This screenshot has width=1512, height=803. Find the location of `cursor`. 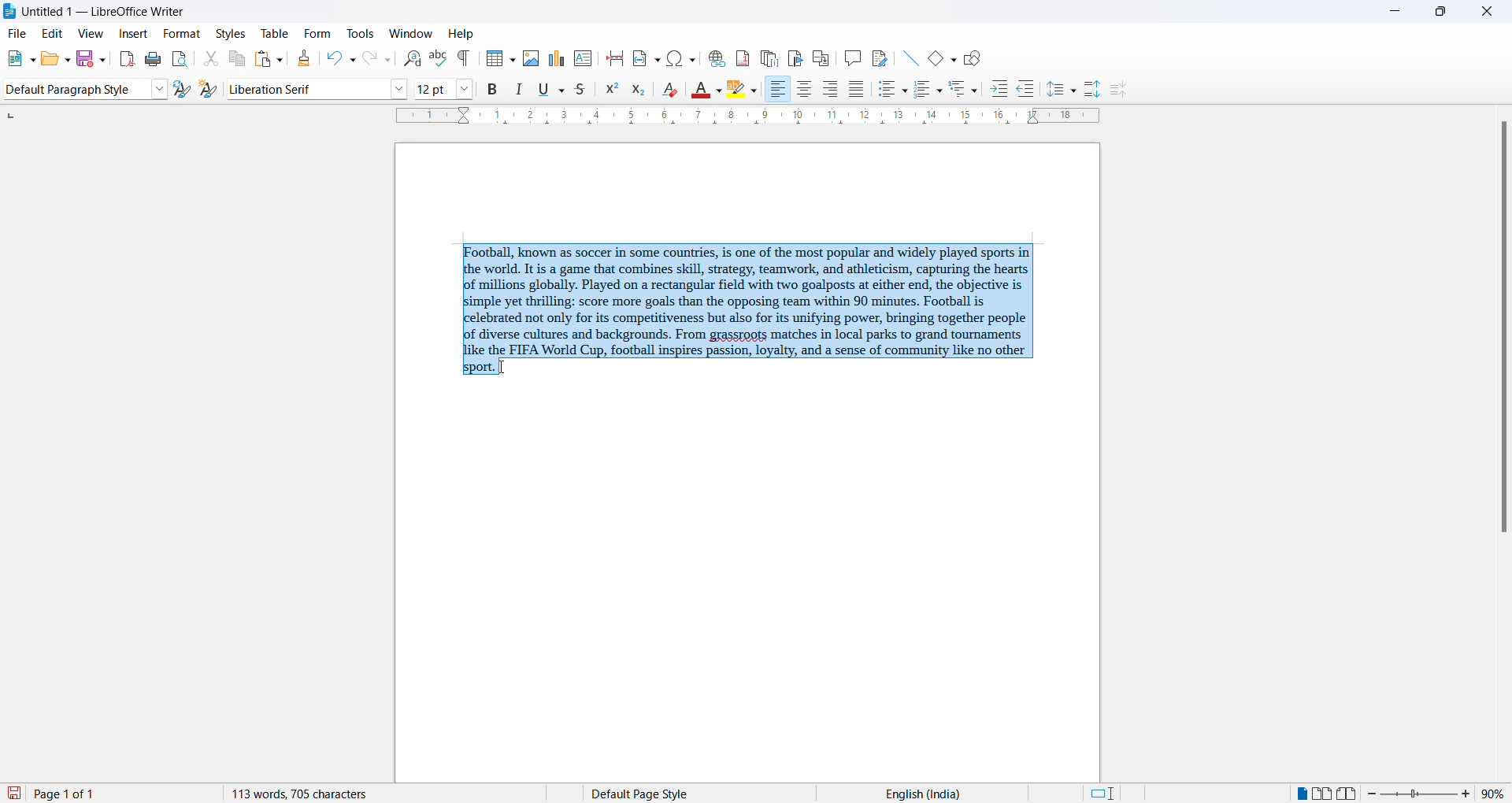

cursor is located at coordinates (502, 372).